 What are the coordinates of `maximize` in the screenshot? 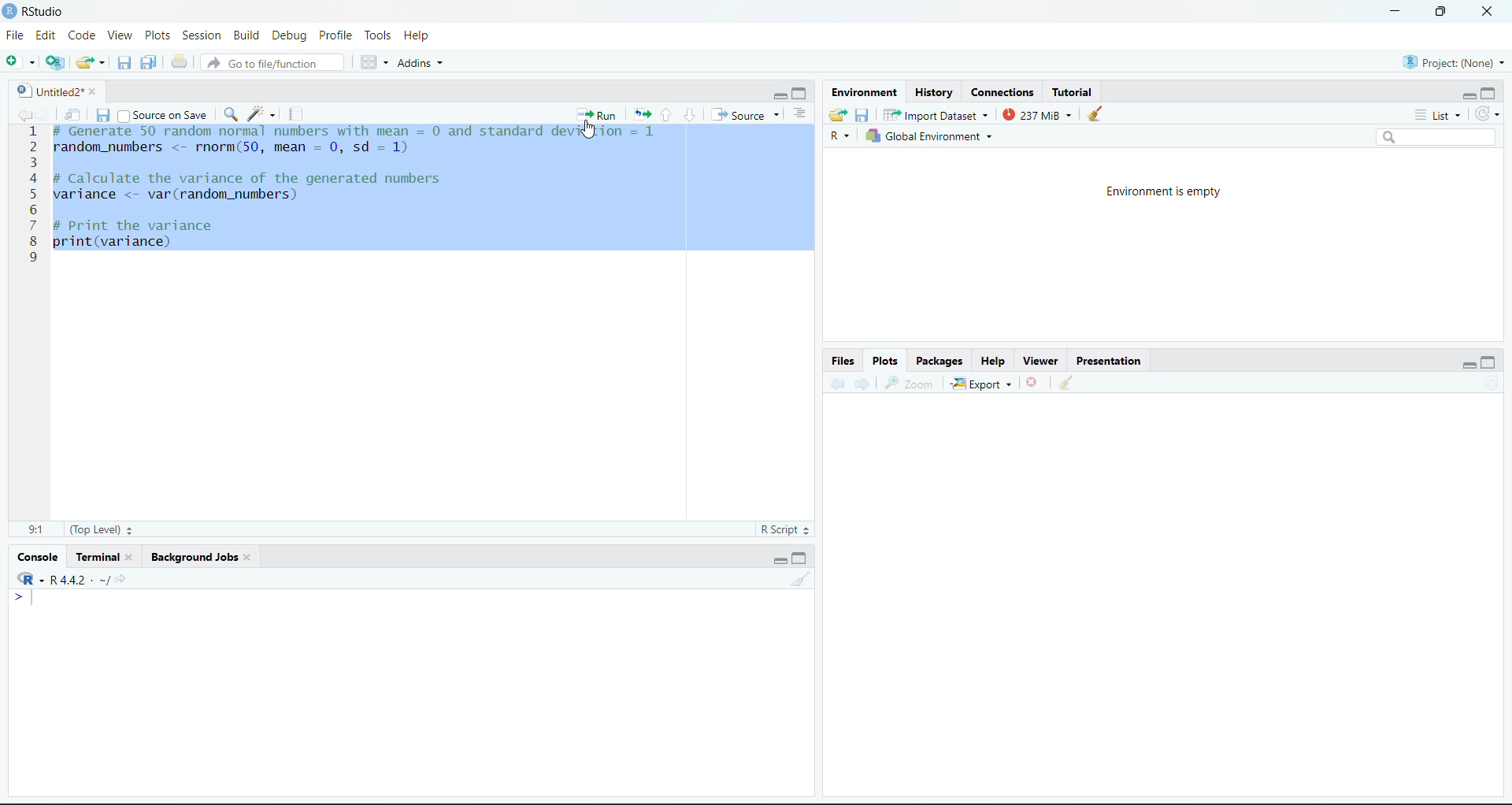 It's located at (801, 558).